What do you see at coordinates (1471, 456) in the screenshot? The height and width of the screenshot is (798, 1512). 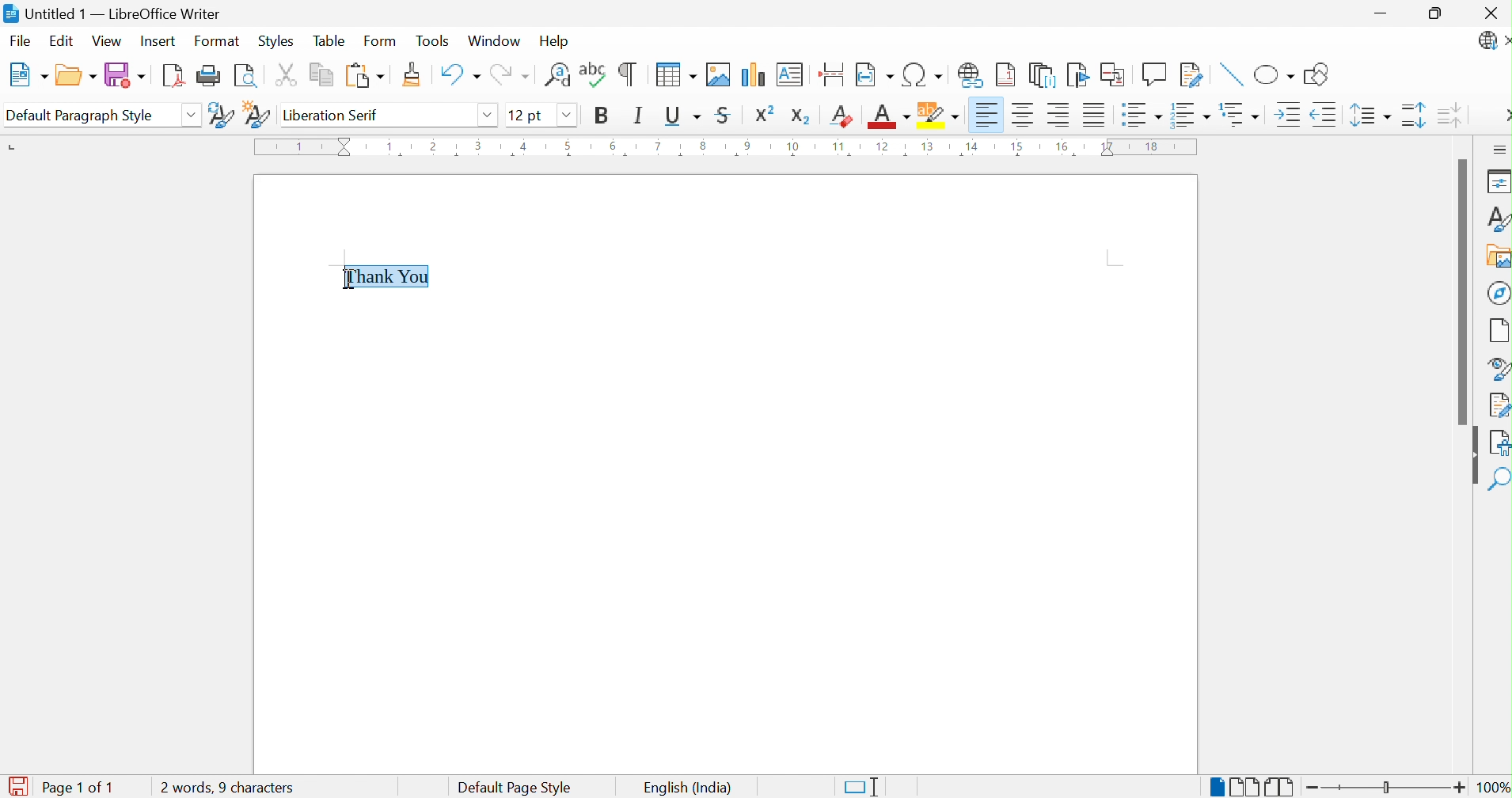 I see `Hide` at bounding box center [1471, 456].